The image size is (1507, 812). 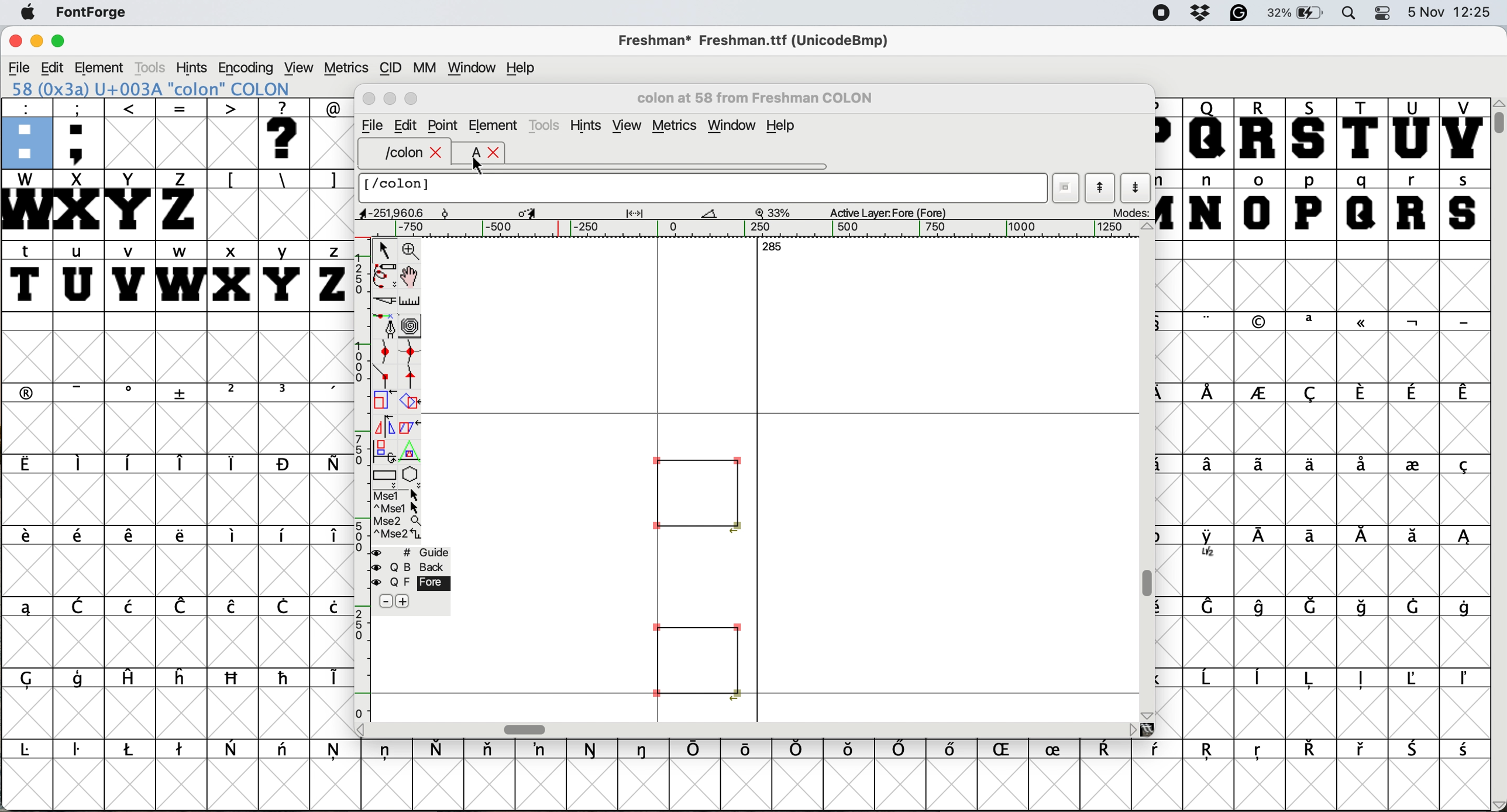 I want to click on symbol, so click(x=1413, y=463).